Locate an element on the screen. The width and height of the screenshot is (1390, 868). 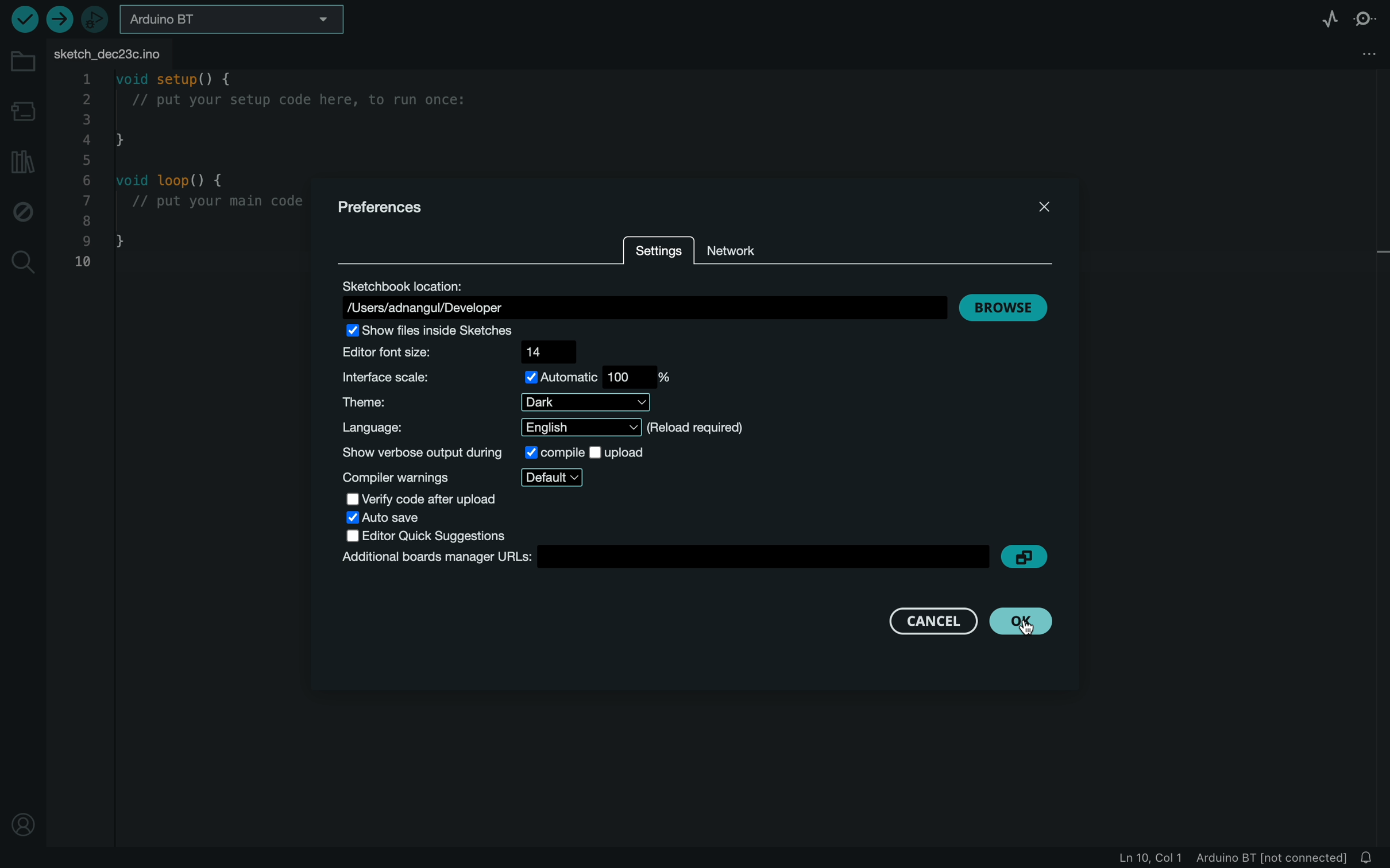
font size is located at coordinates (458, 355).